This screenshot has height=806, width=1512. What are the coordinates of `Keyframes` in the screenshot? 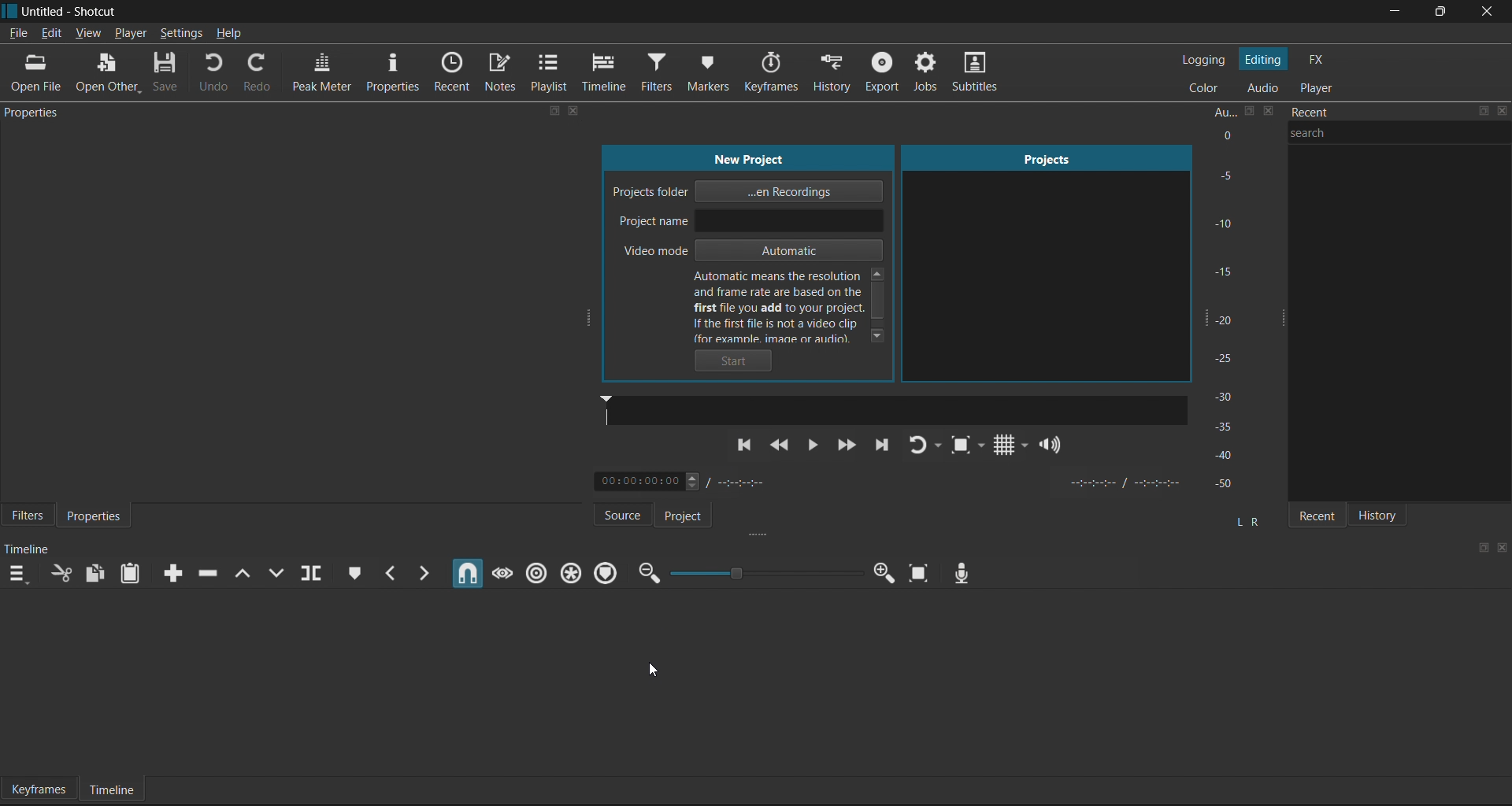 It's located at (38, 788).